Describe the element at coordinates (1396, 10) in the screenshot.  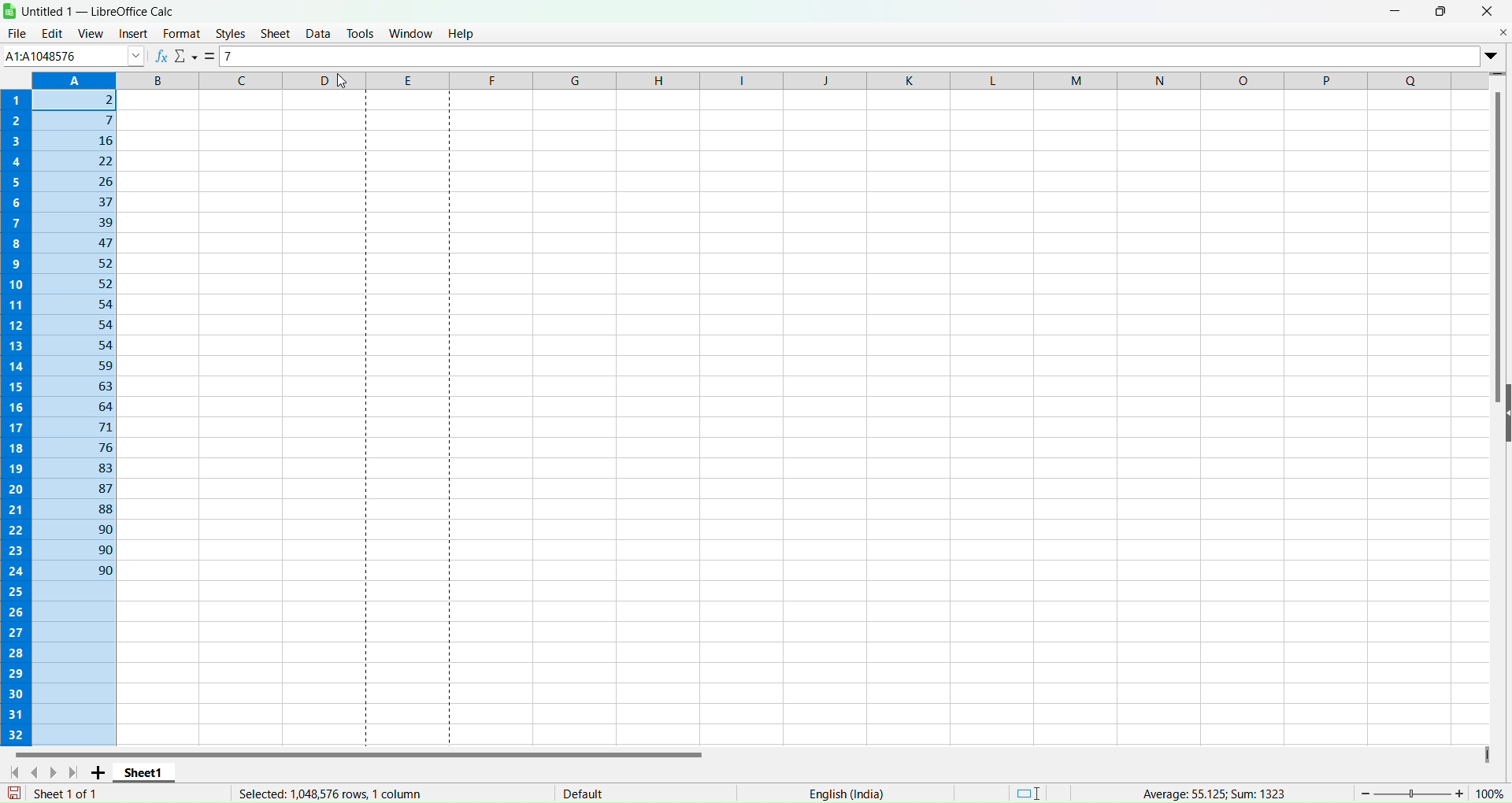
I see `Minimize` at that location.